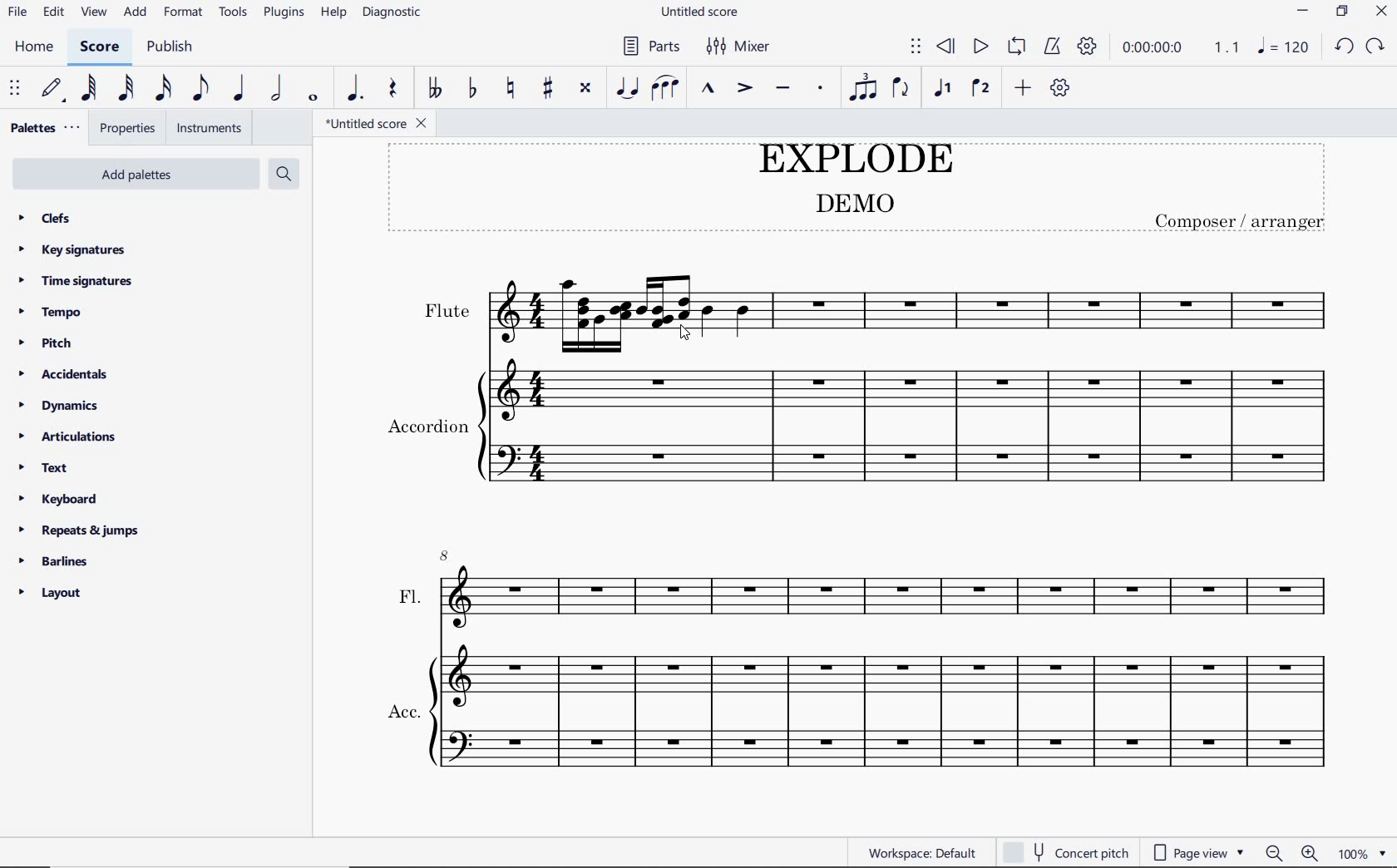  What do you see at coordinates (1088, 46) in the screenshot?
I see `playback settings` at bounding box center [1088, 46].